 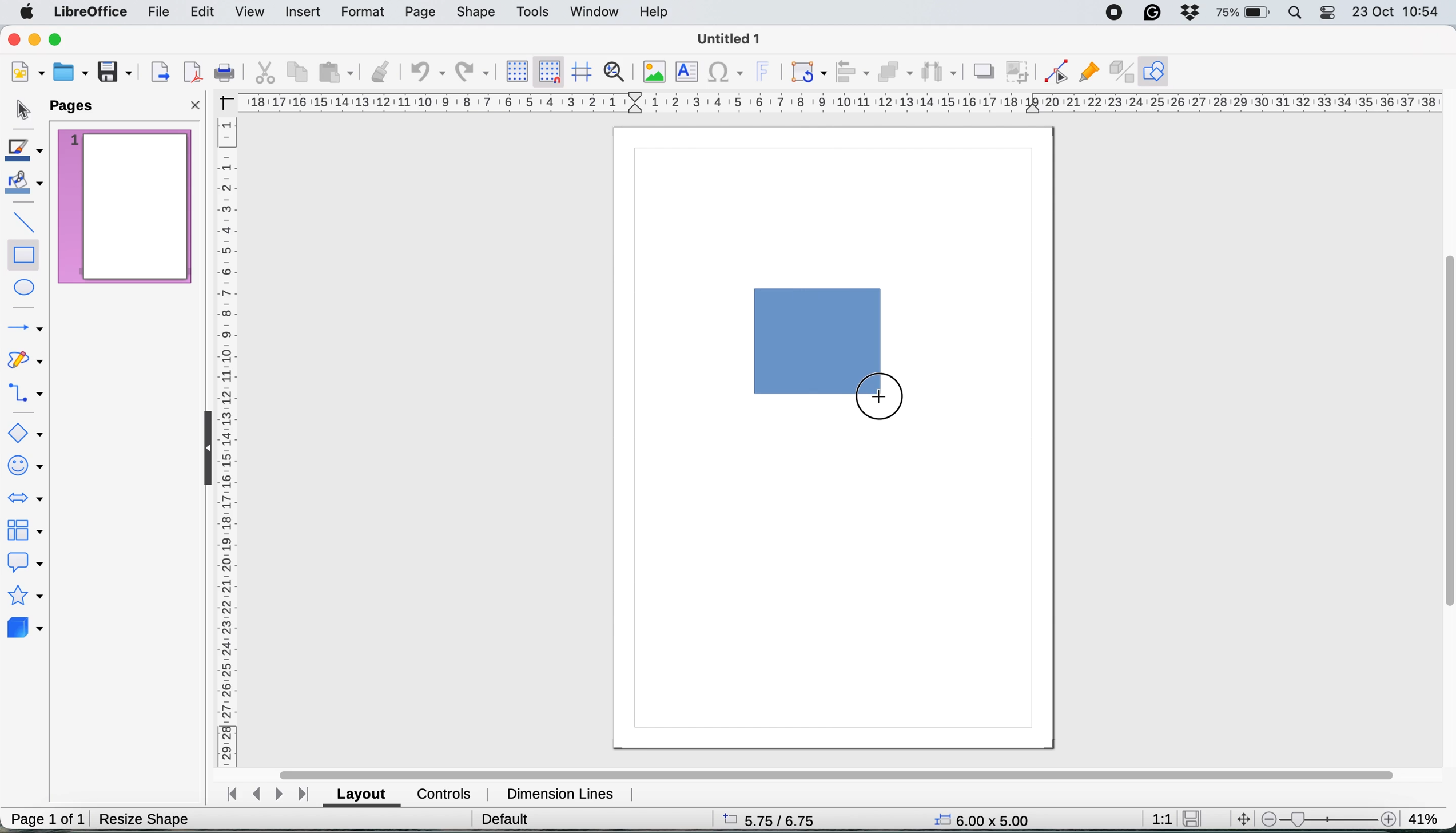 What do you see at coordinates (222, 74) in the screenshot?
I see `print` at bounding box center [222, 74].